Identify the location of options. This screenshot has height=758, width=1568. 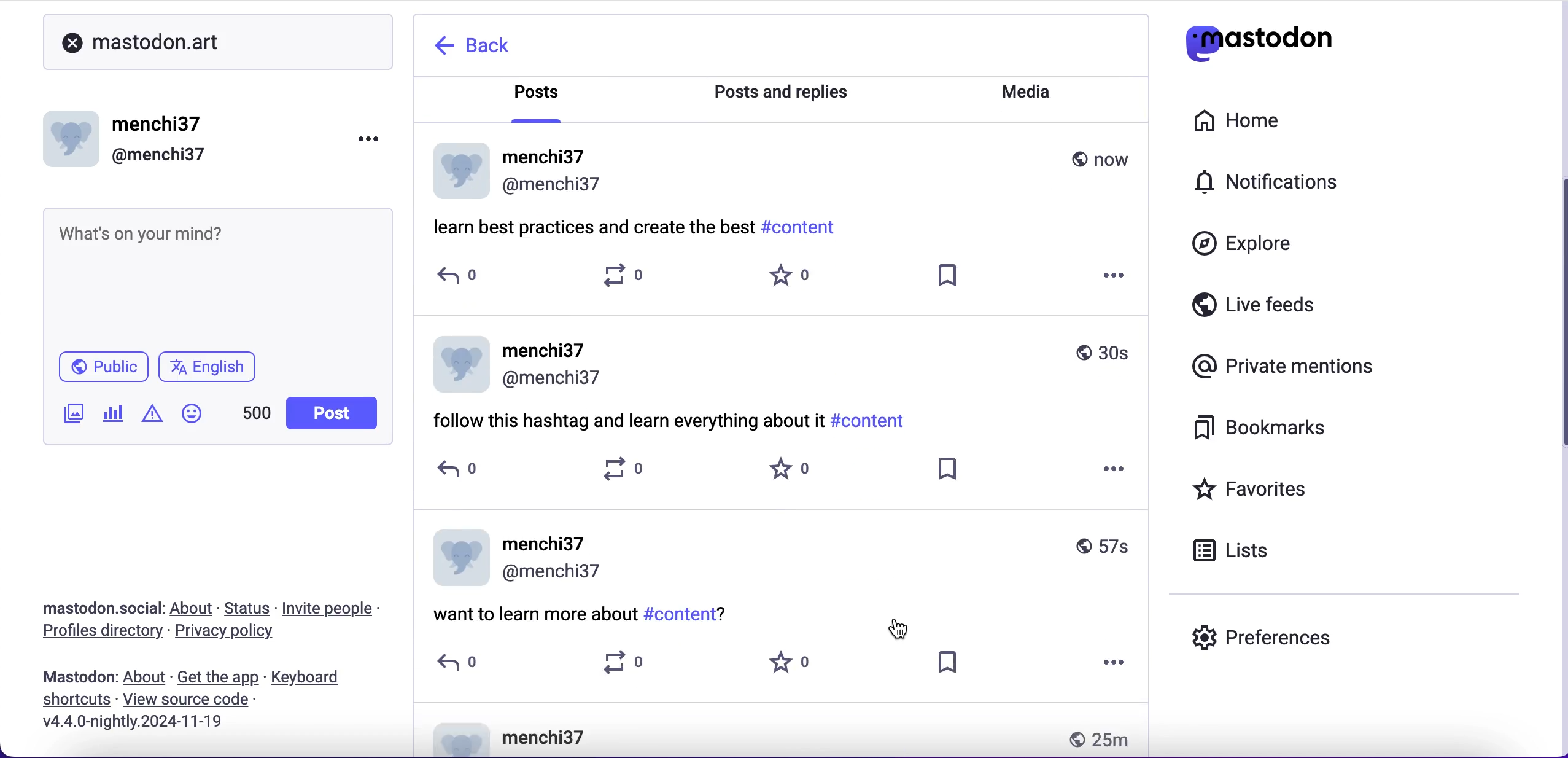
(1116, 278).